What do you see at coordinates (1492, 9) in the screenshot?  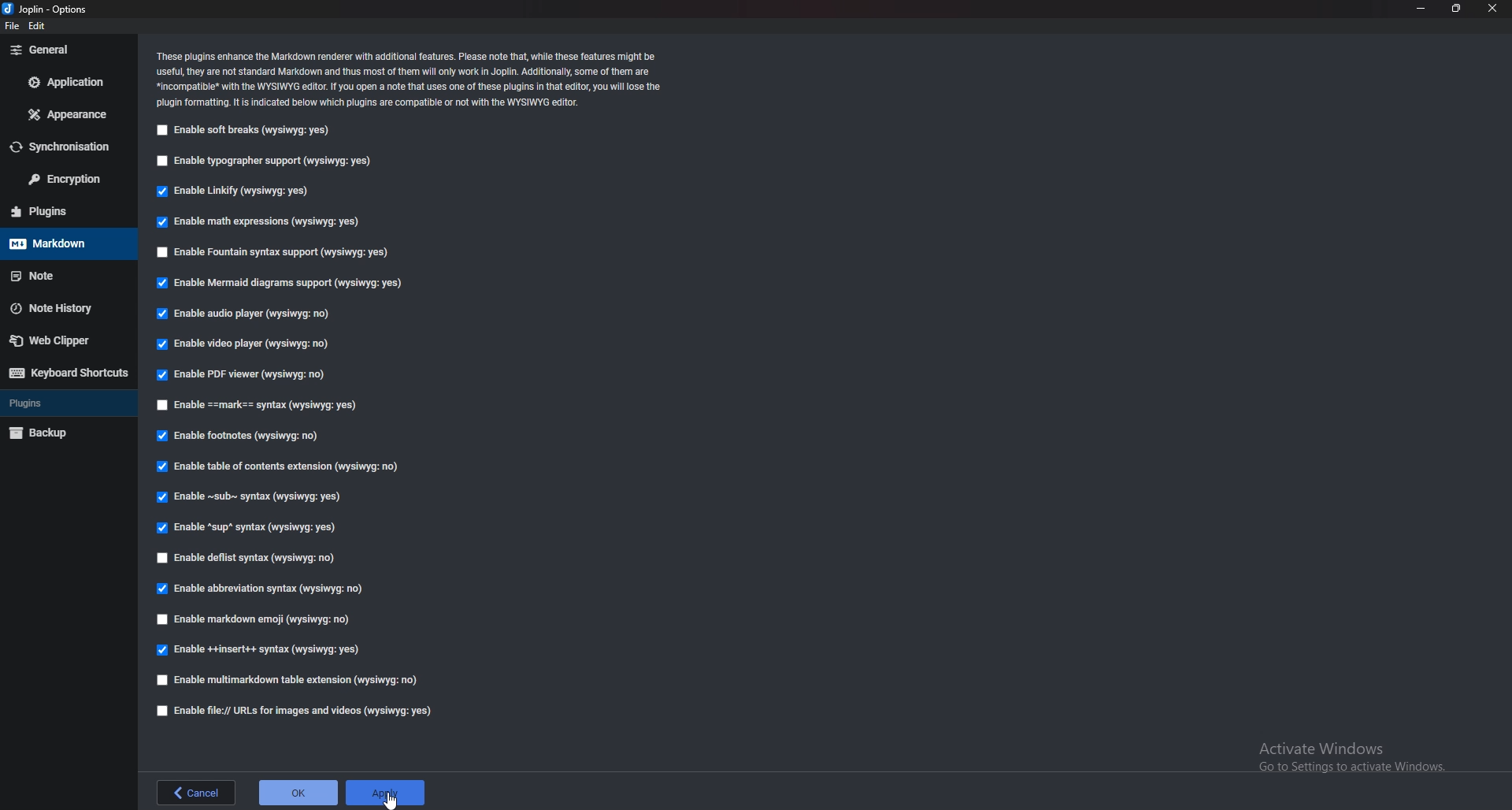 I see `close` at bounding box center [1492, 9].